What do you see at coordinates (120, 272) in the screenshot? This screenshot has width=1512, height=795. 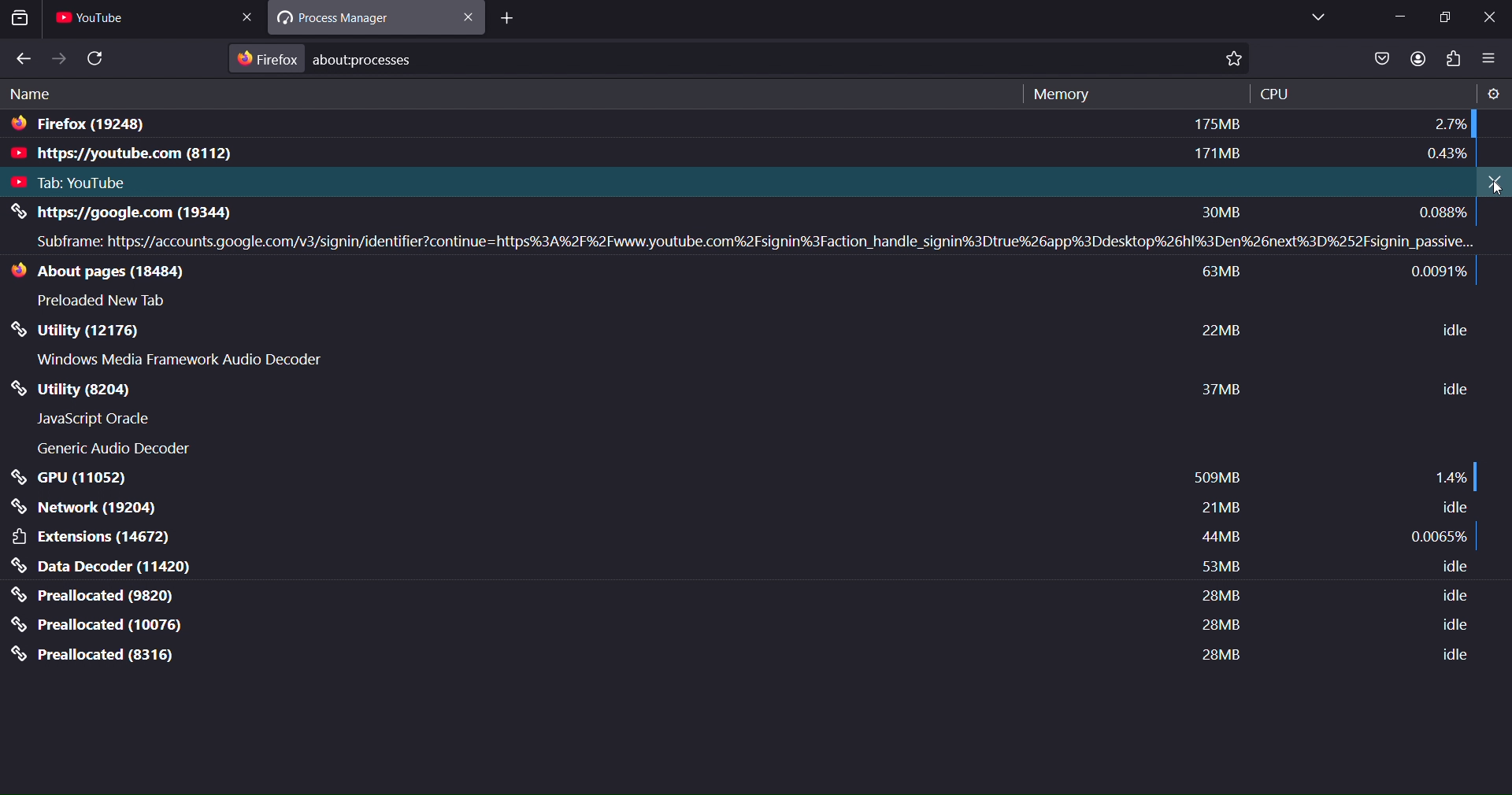 I see `about page(18484)` at bounding box center [120, 272].